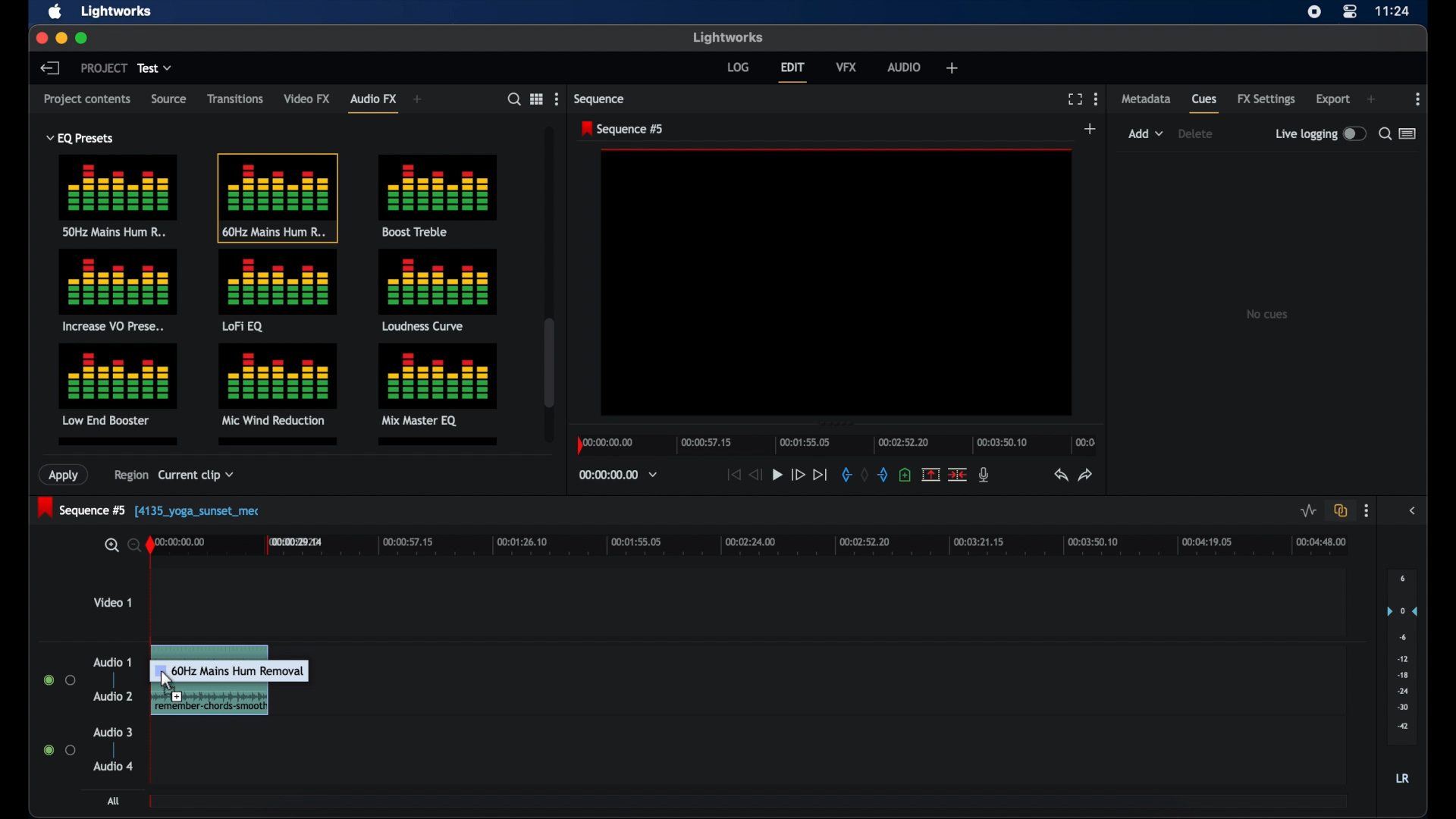  Describe the element at coordinates (235, 99) in the screenshot. I see `transitions` at that location.